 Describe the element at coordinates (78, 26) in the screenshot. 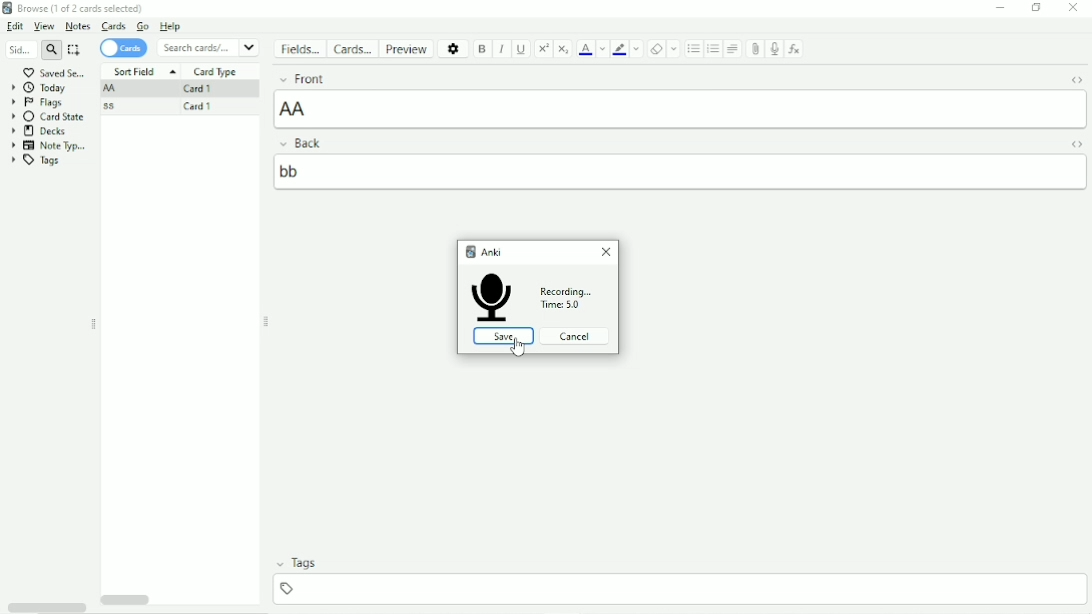

I see `Notes` at that location.